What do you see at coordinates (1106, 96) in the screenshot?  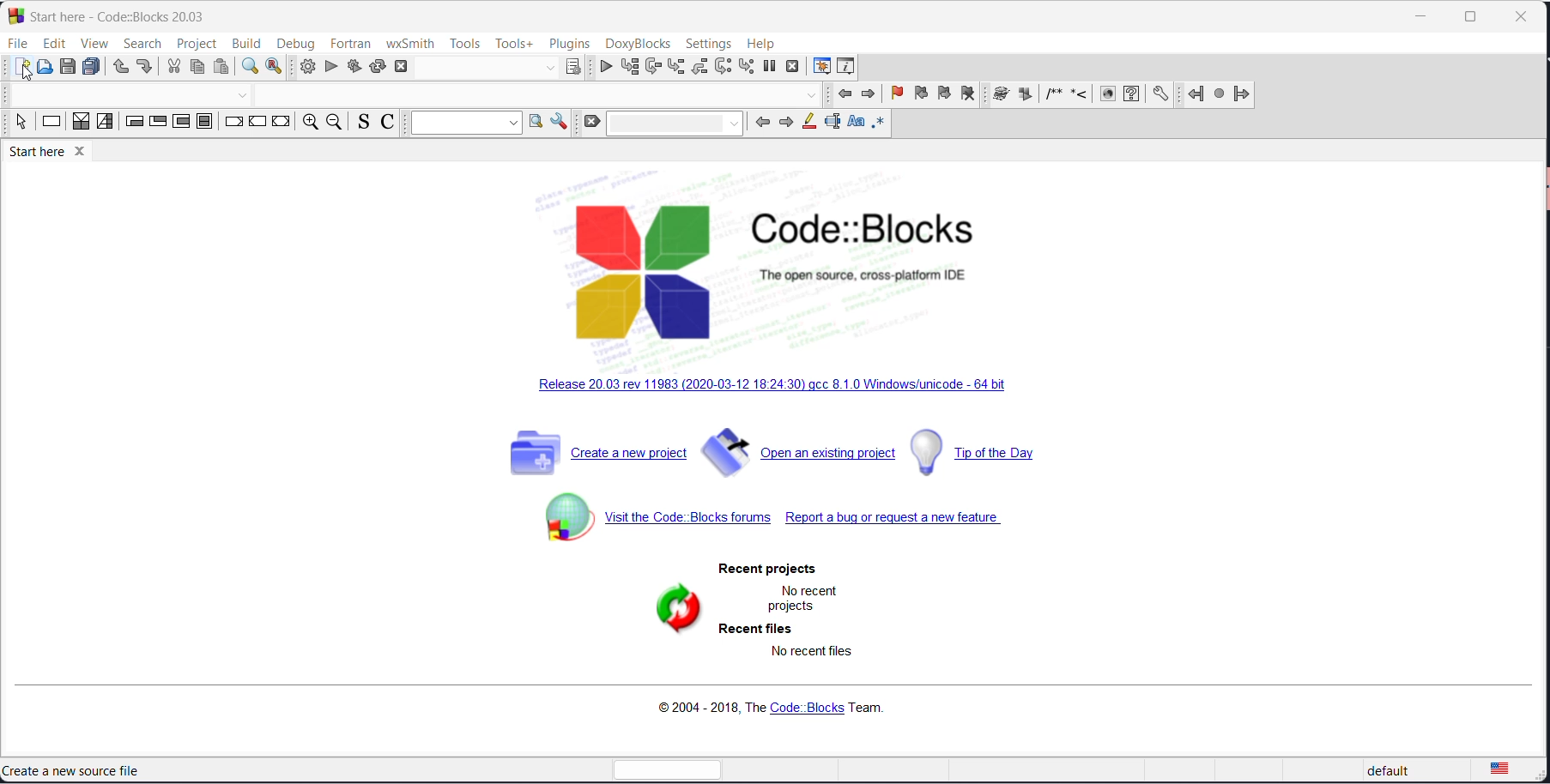 I see `HTML` at bounding box center [1106, 96].